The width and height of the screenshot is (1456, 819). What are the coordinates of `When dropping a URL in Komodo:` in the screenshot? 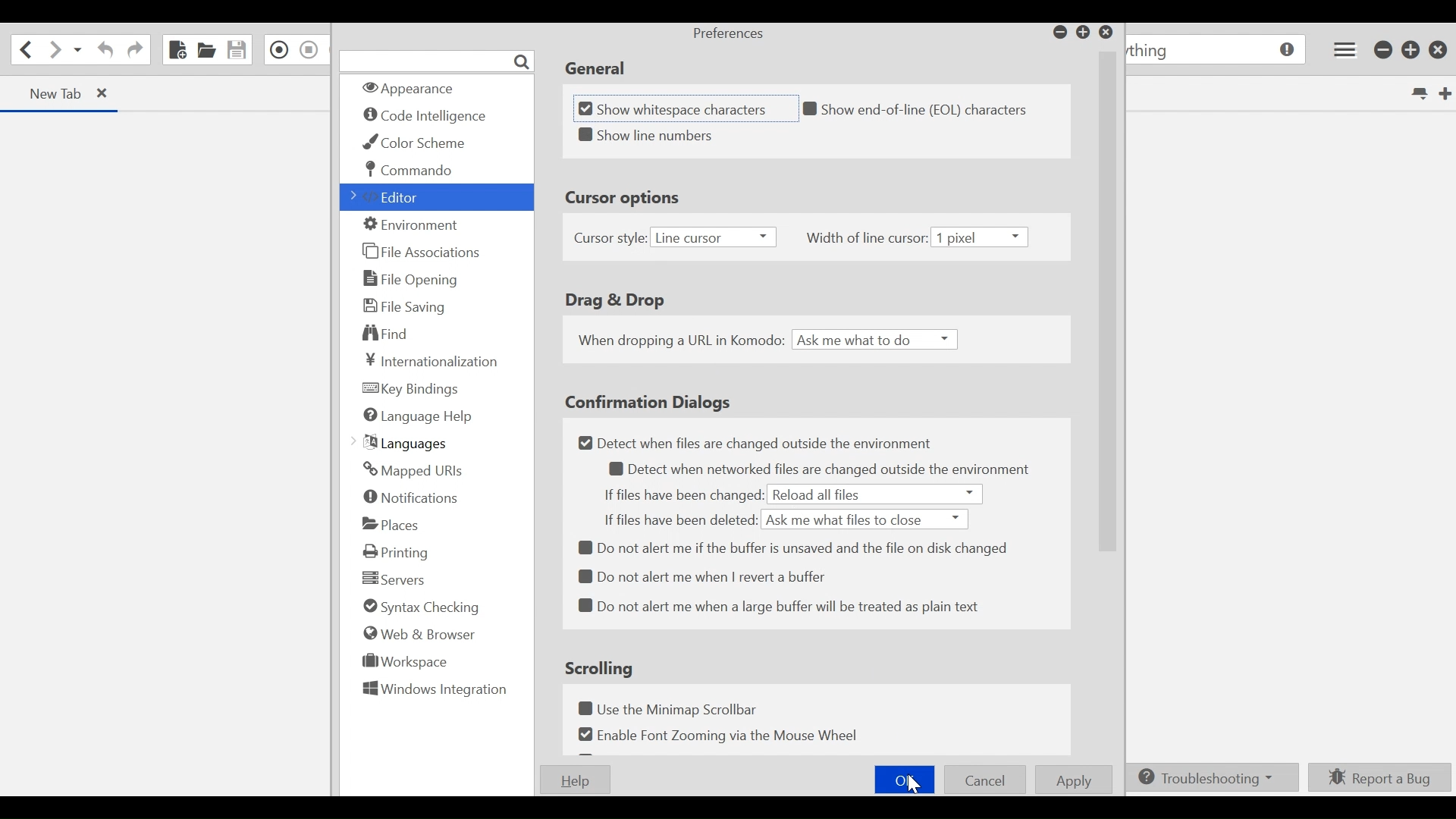 It's located at (679, 340).